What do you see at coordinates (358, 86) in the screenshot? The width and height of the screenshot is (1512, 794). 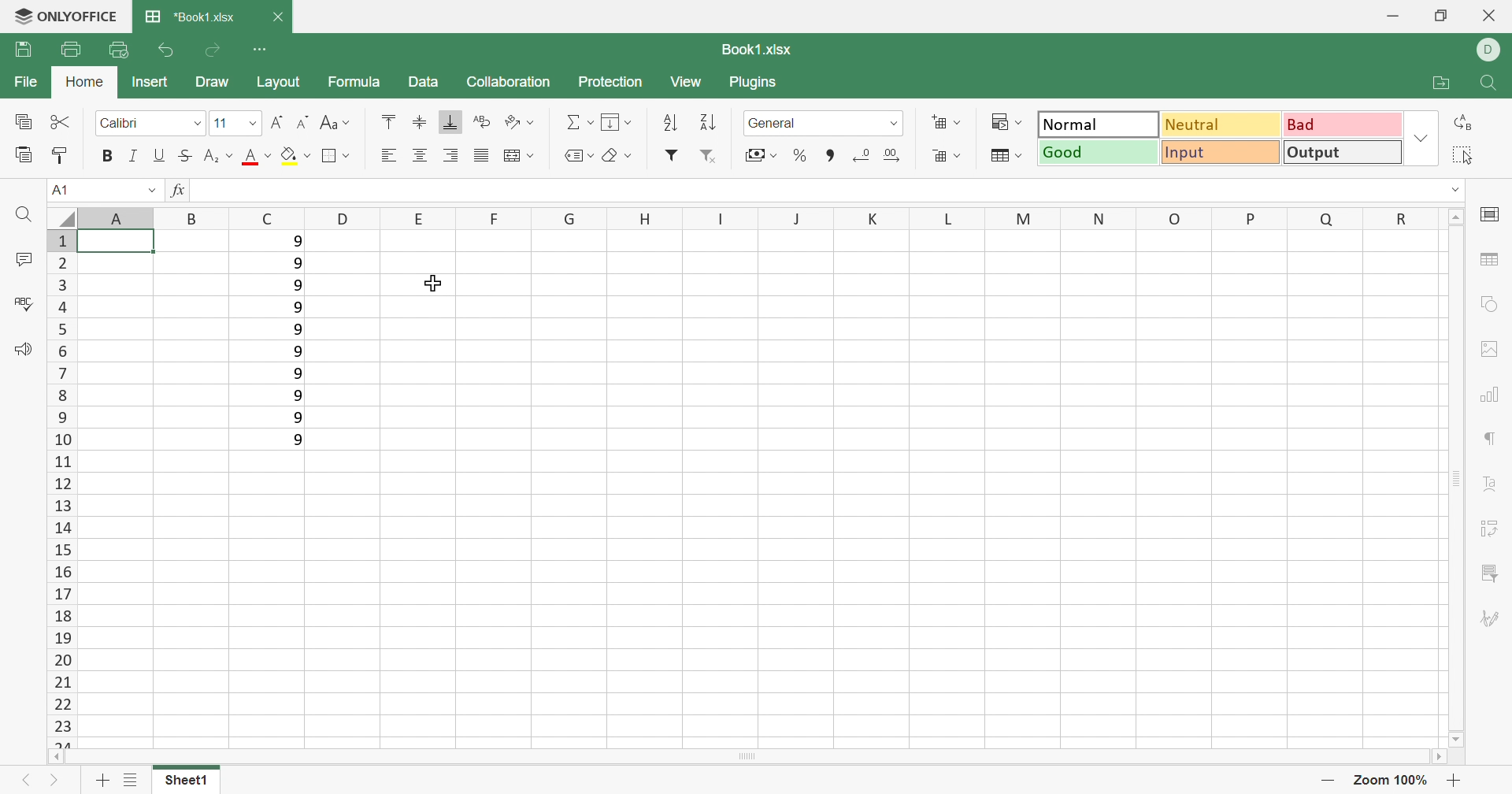 I see `Formula` at bounding box center [358, 86].